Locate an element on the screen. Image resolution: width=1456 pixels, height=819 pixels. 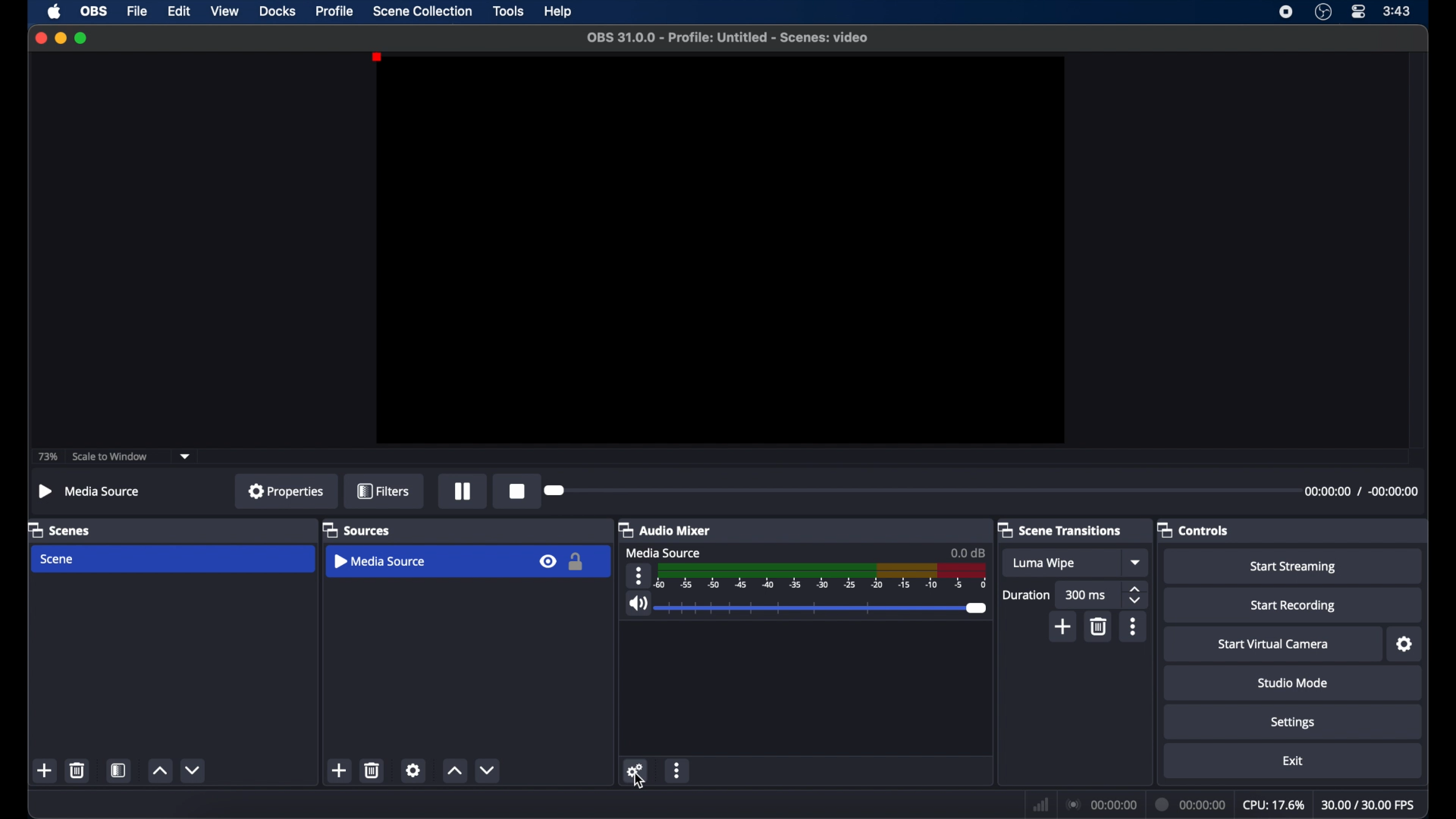
add is located at coordinates (1064, 627).